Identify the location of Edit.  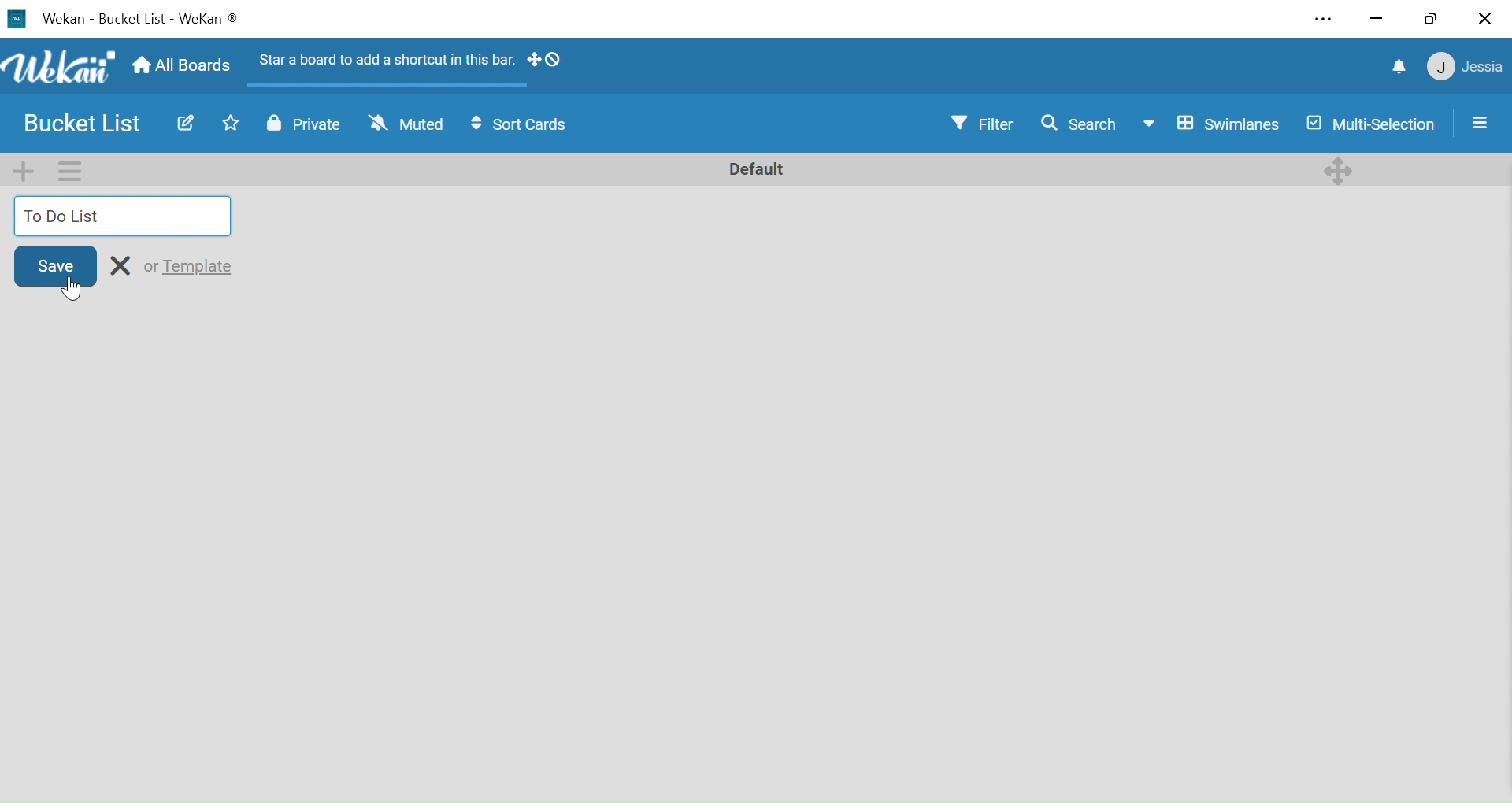
(183, 123).